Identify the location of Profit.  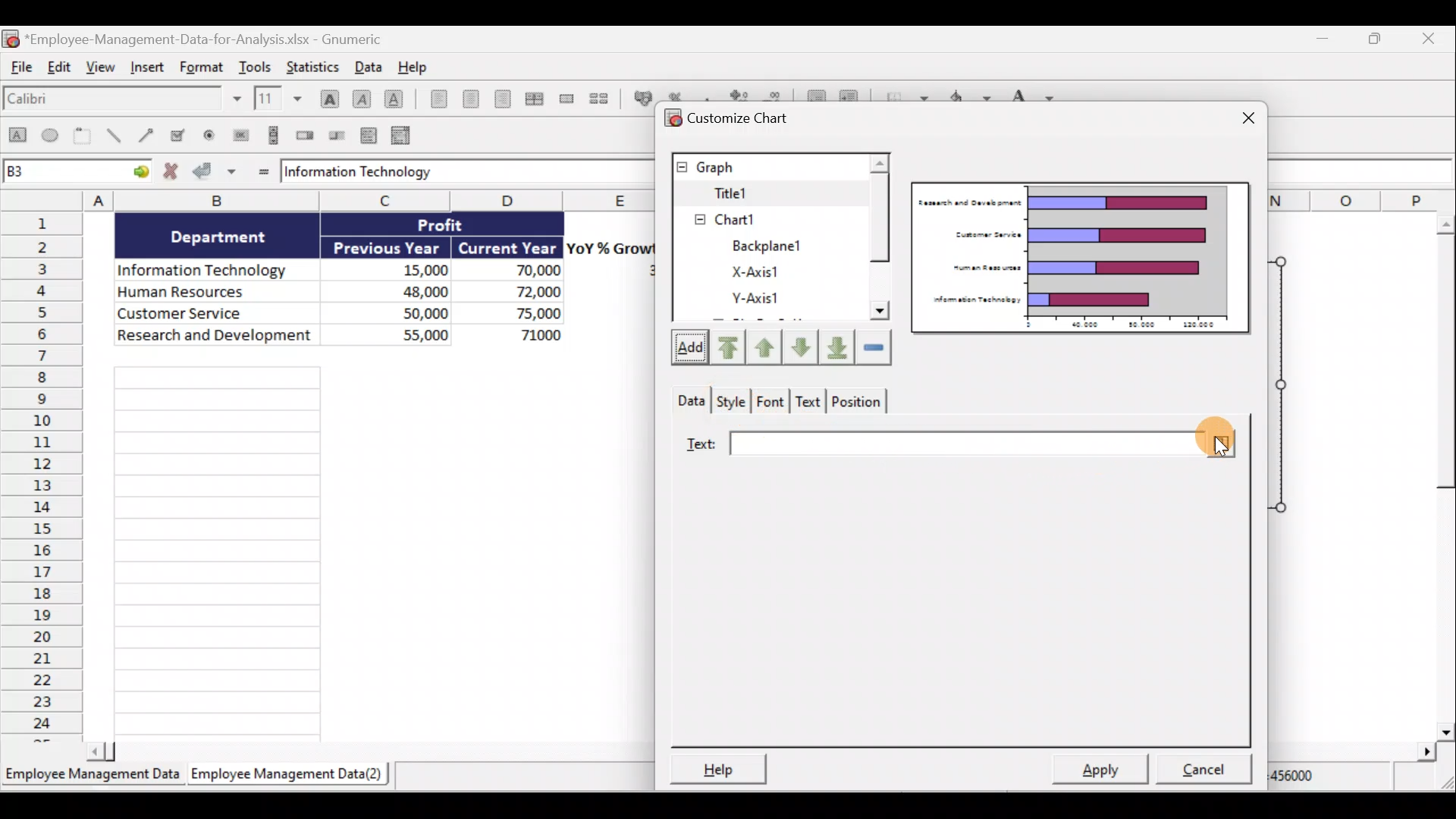
(453, 227).